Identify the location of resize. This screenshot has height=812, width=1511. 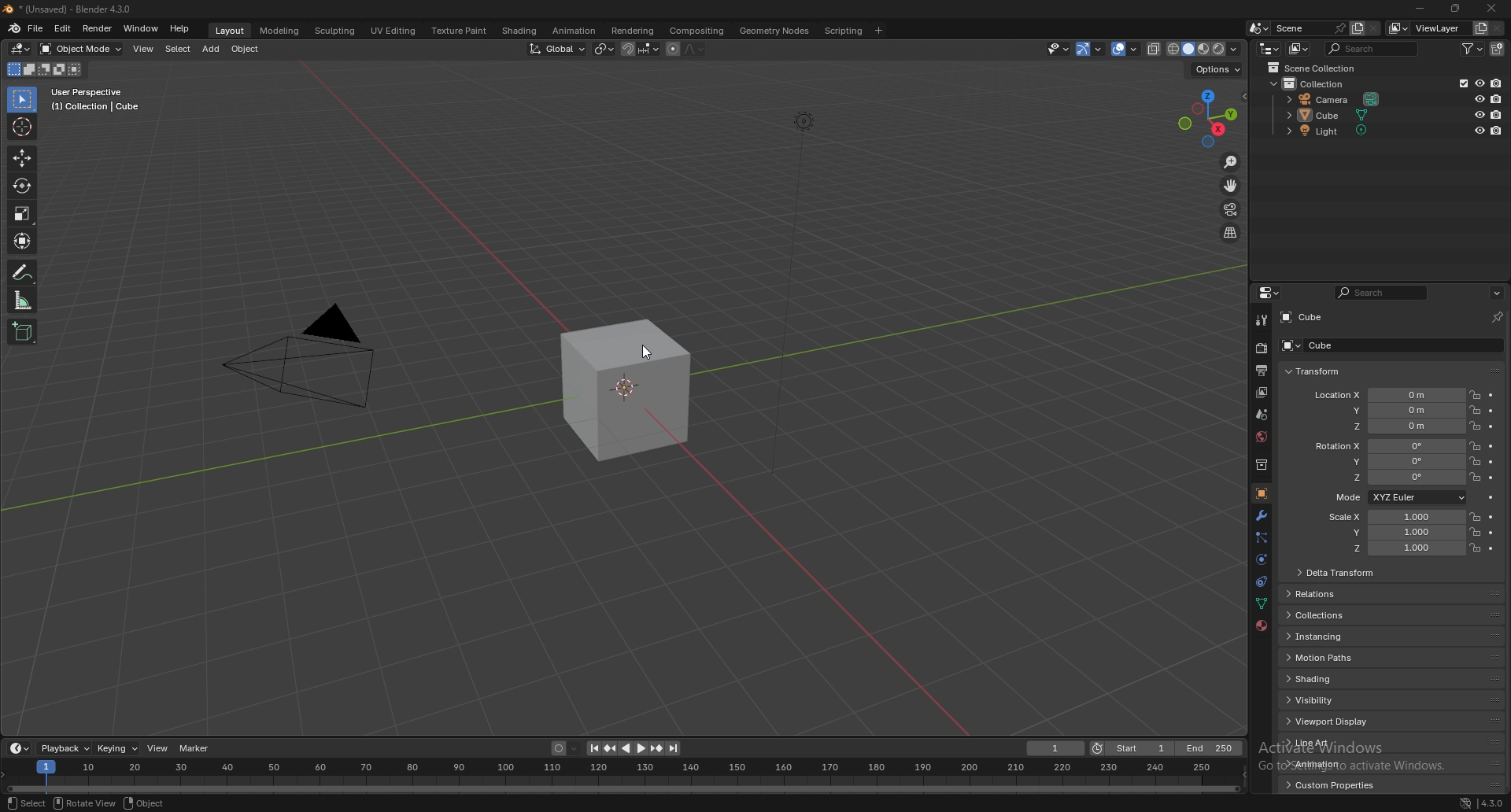
(1454, 9).